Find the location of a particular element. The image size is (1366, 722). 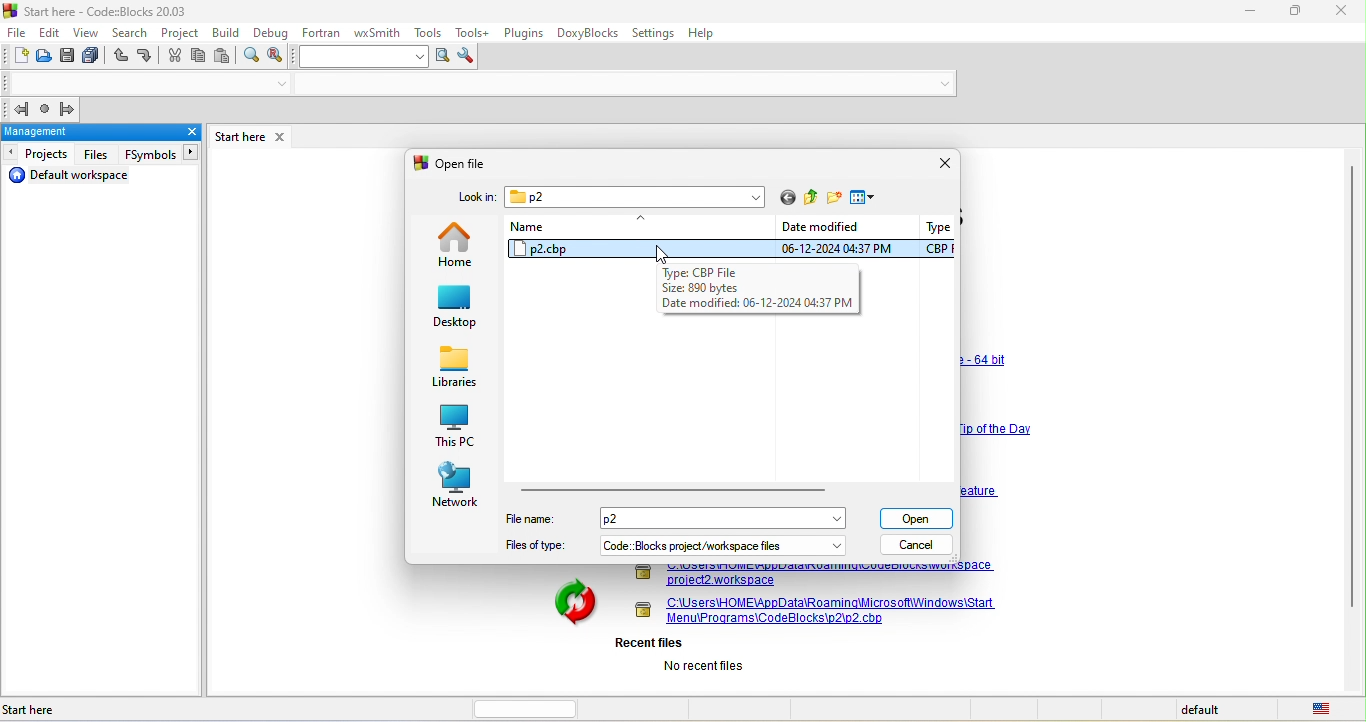

network is located at coordinates (456, 485).